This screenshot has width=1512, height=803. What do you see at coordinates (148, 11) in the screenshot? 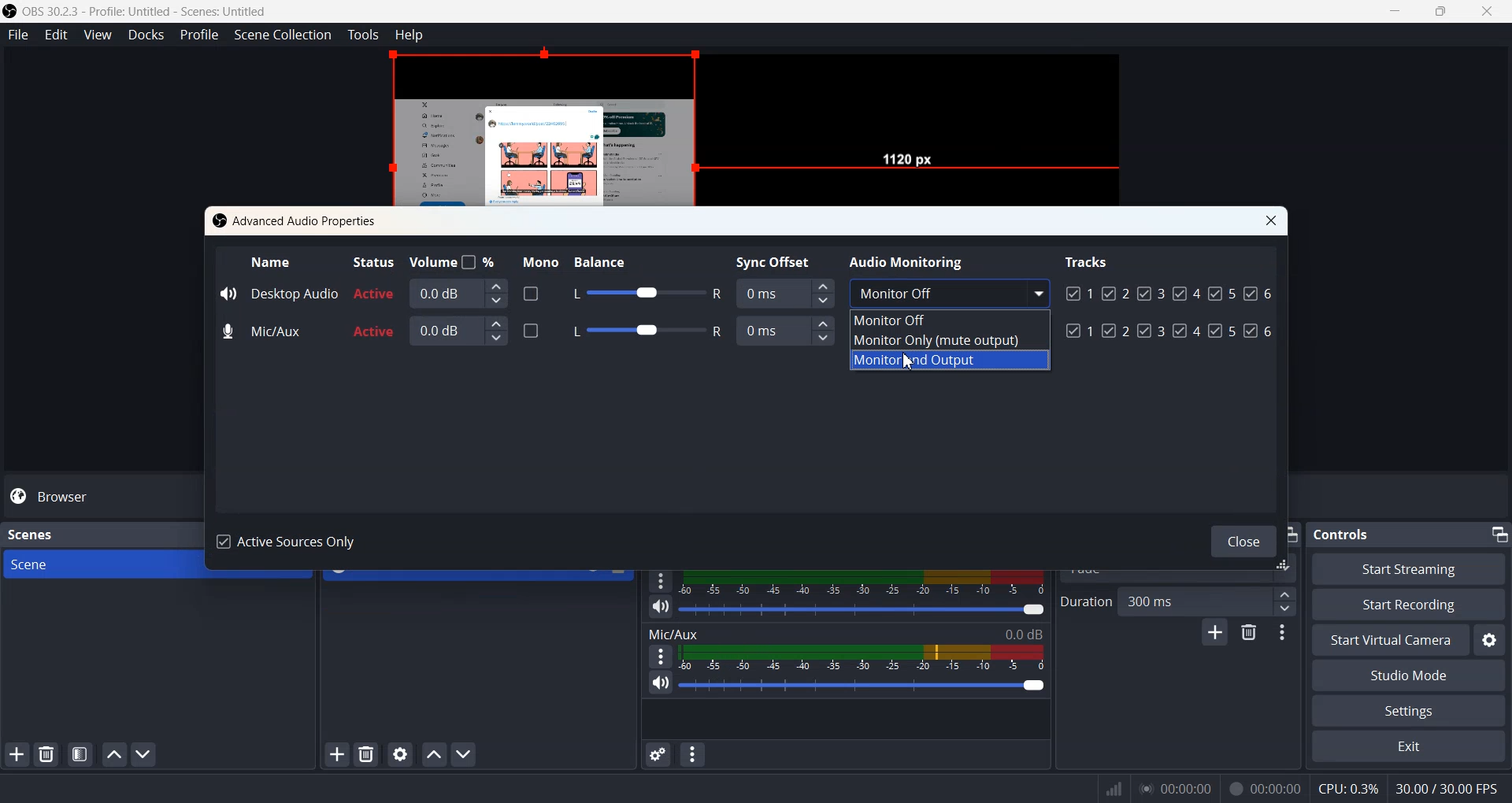
I see `‘OBS 30.2.3 - Profile: Untitled - Scenes: Untitled` at bounding box center [148, 11].